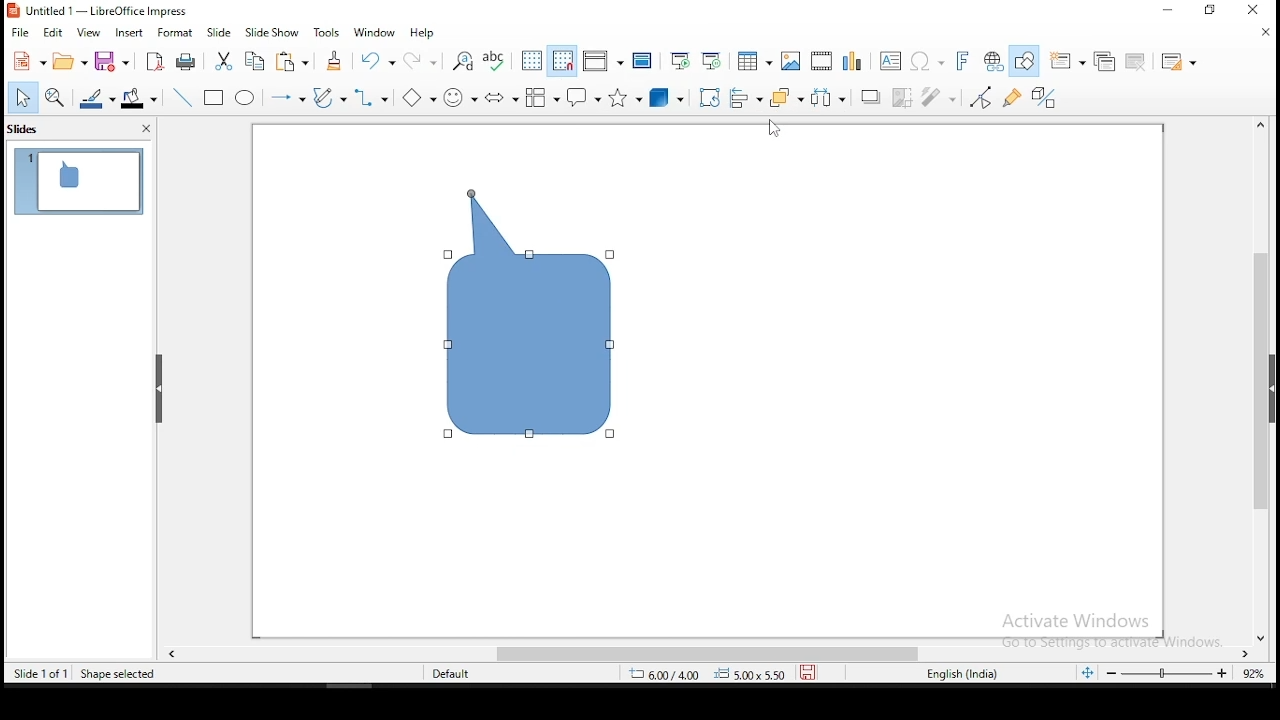 Image resolution: width=1280 pixels, height=720 pixels. I want to click on english (india), so click(954, 671).